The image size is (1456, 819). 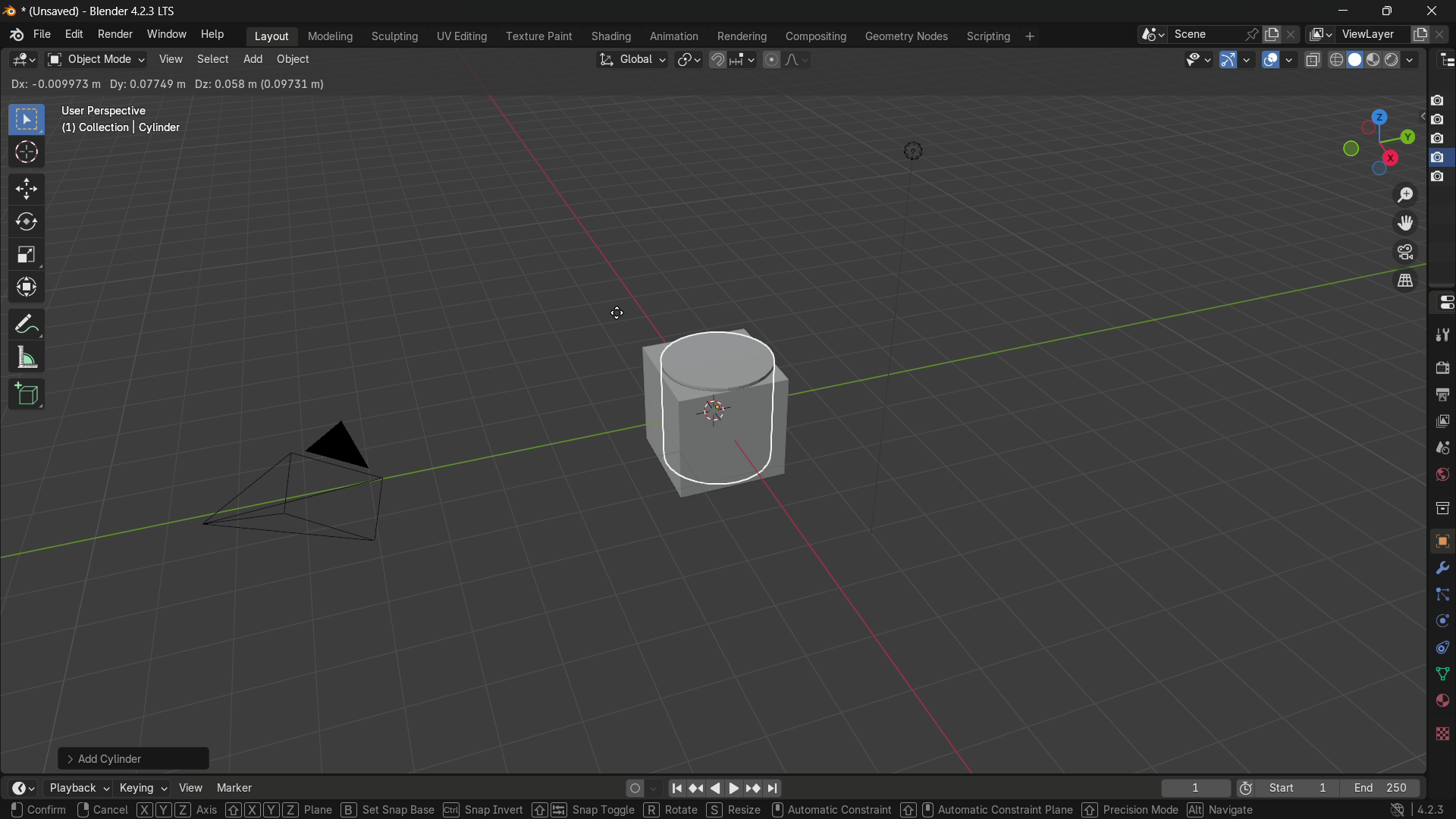 I want to click on tools, so click(x=1441, y=332).